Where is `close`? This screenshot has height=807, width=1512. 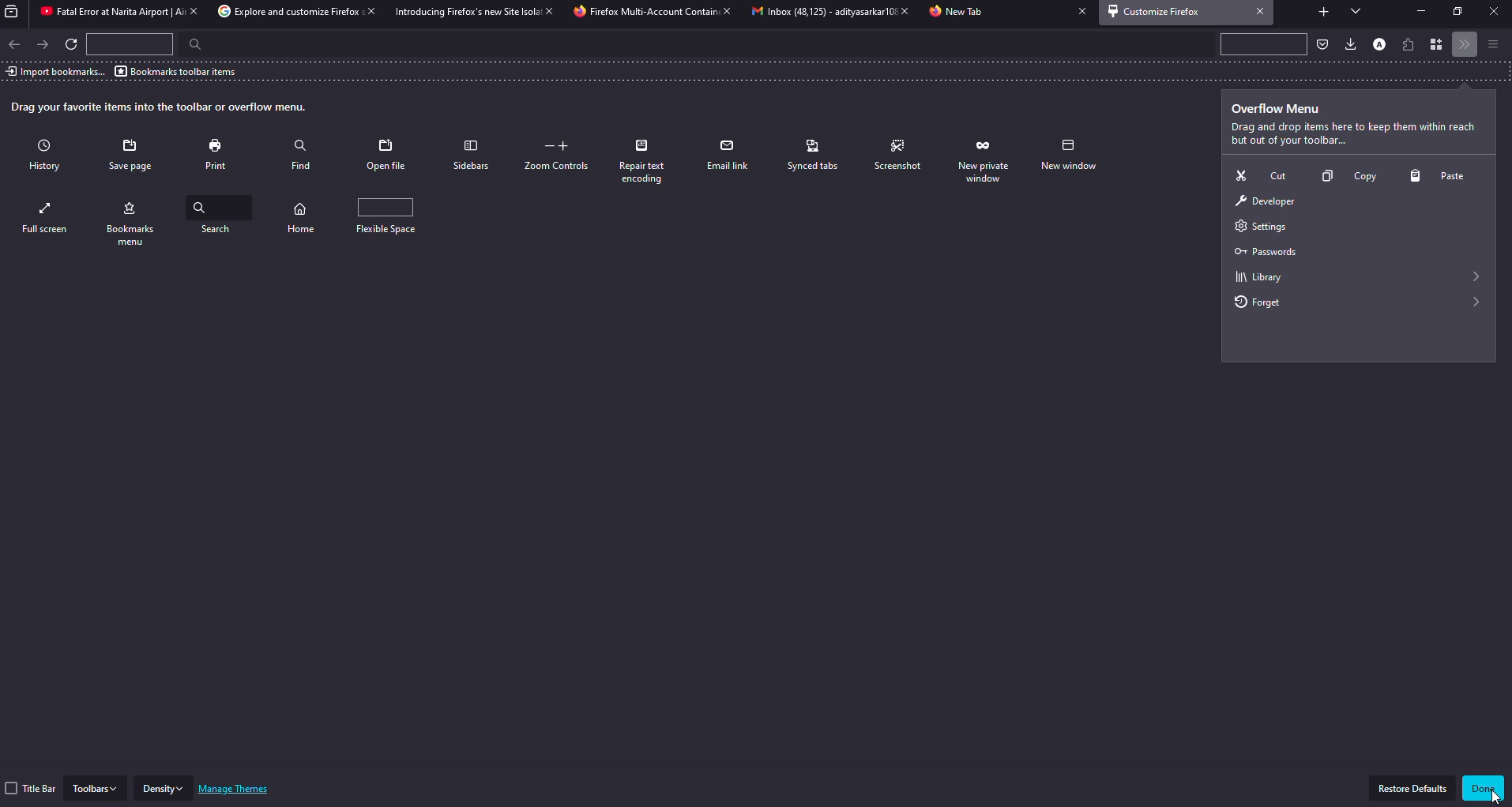
close is located at coordinates (1492, 12).